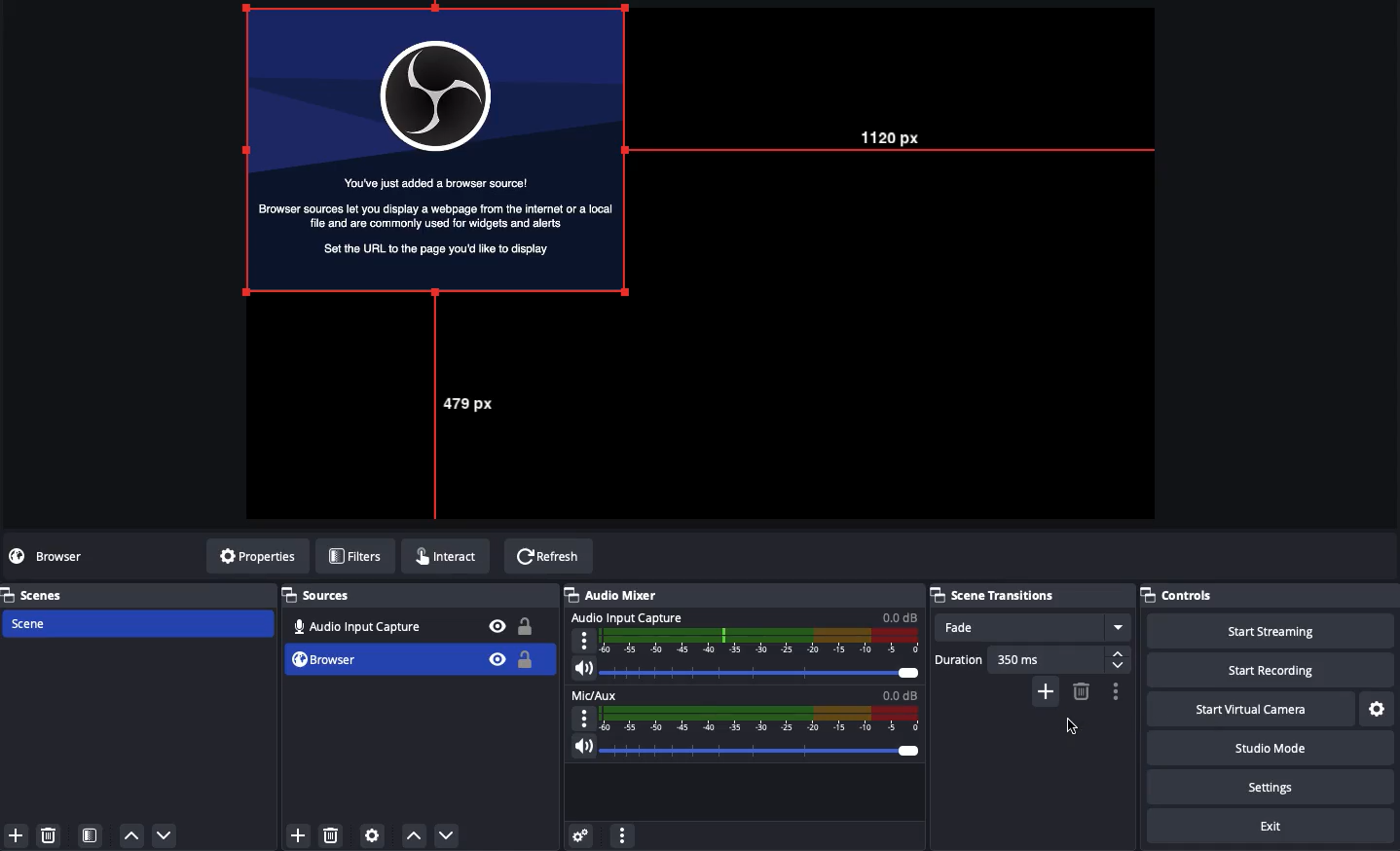 This screenshot has height=851, width=1400. What do you see at coordinates (1032, 659) in the screenshot?
I see `Duration` at bounding box center [1032, 659].